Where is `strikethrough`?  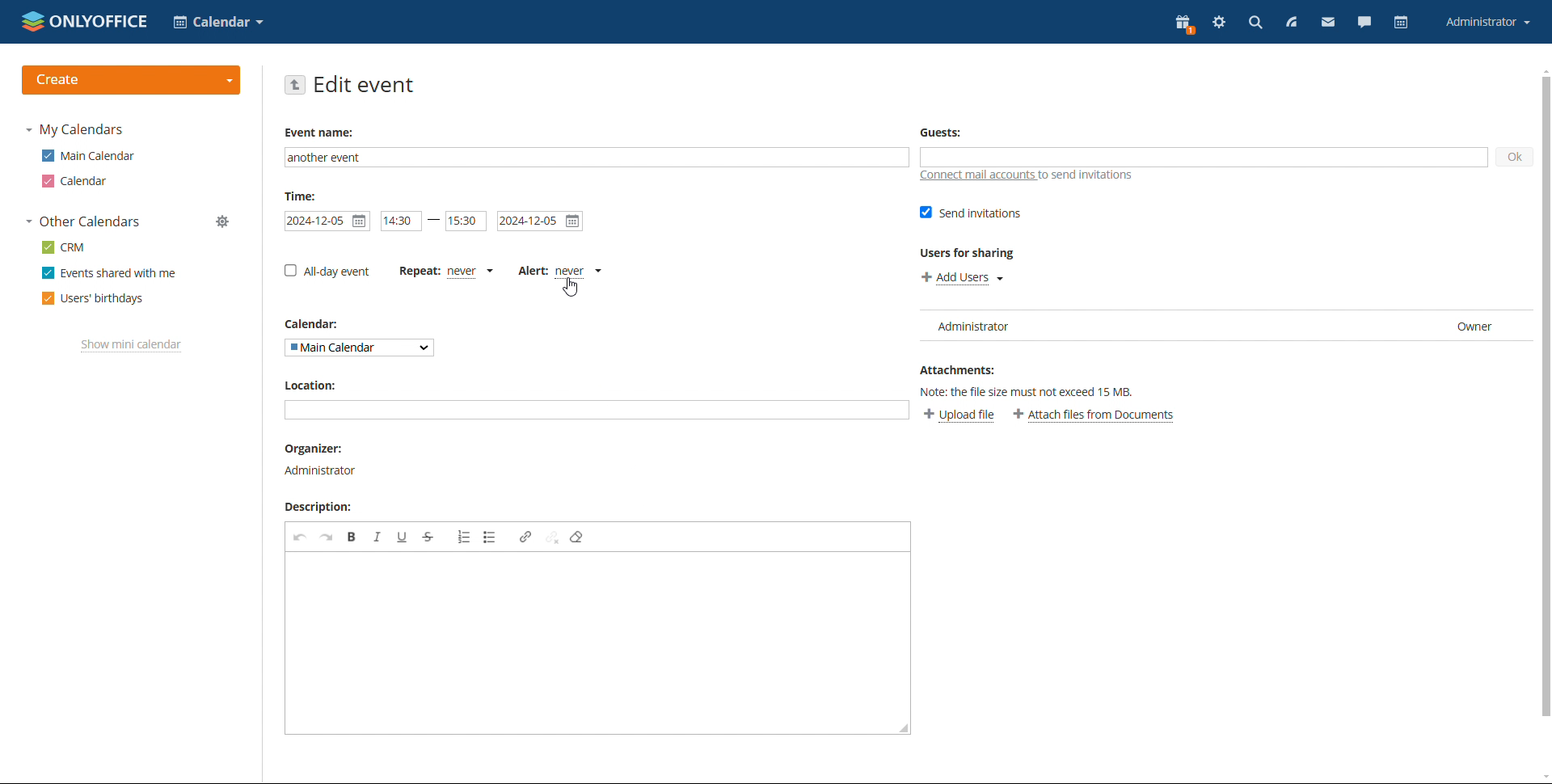 strikethrough is located at coordinates (428, 537).